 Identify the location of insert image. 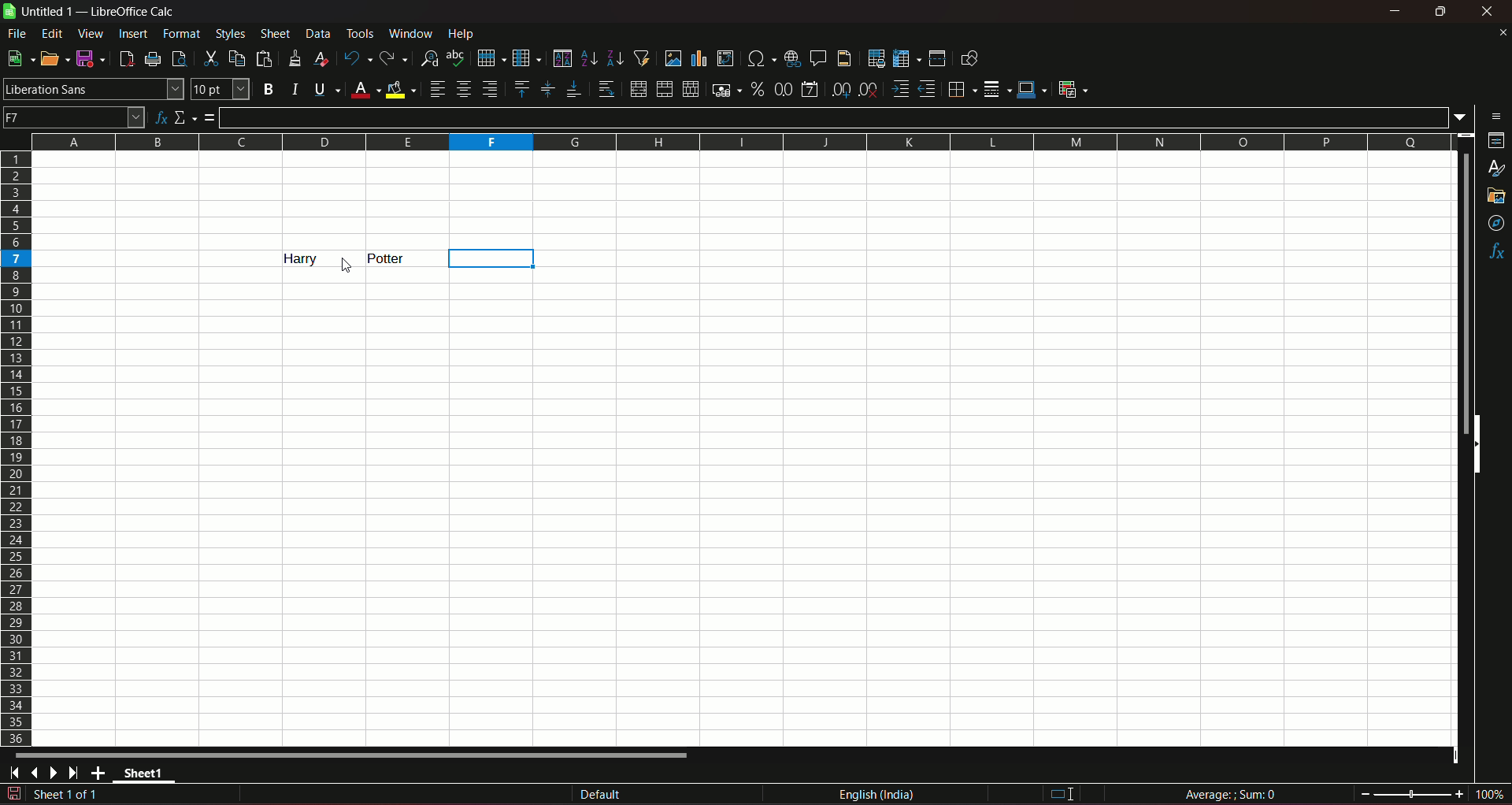
(673, 58).